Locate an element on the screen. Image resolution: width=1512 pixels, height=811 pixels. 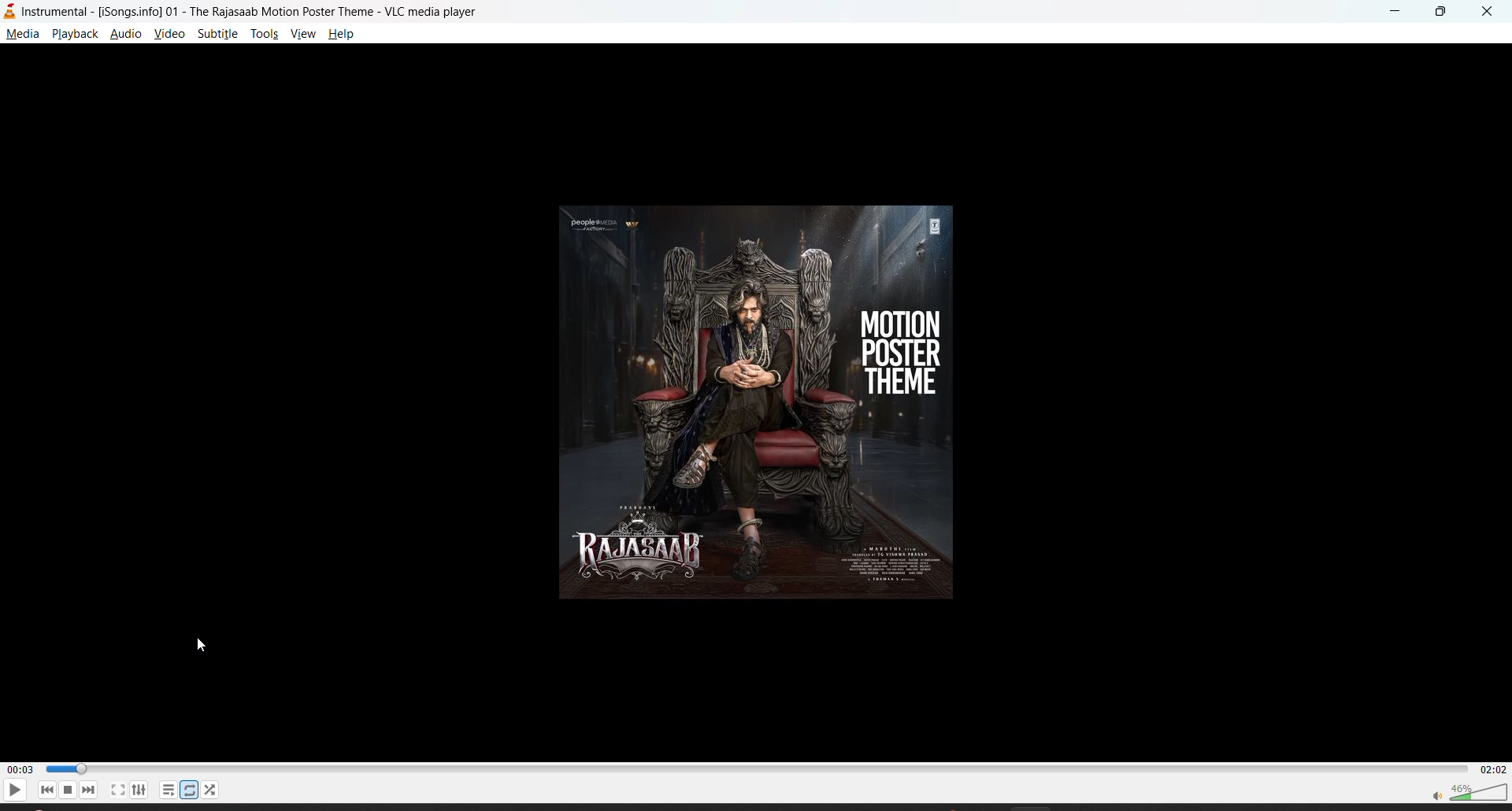
repeat selected is located at coordinates (187, 790).